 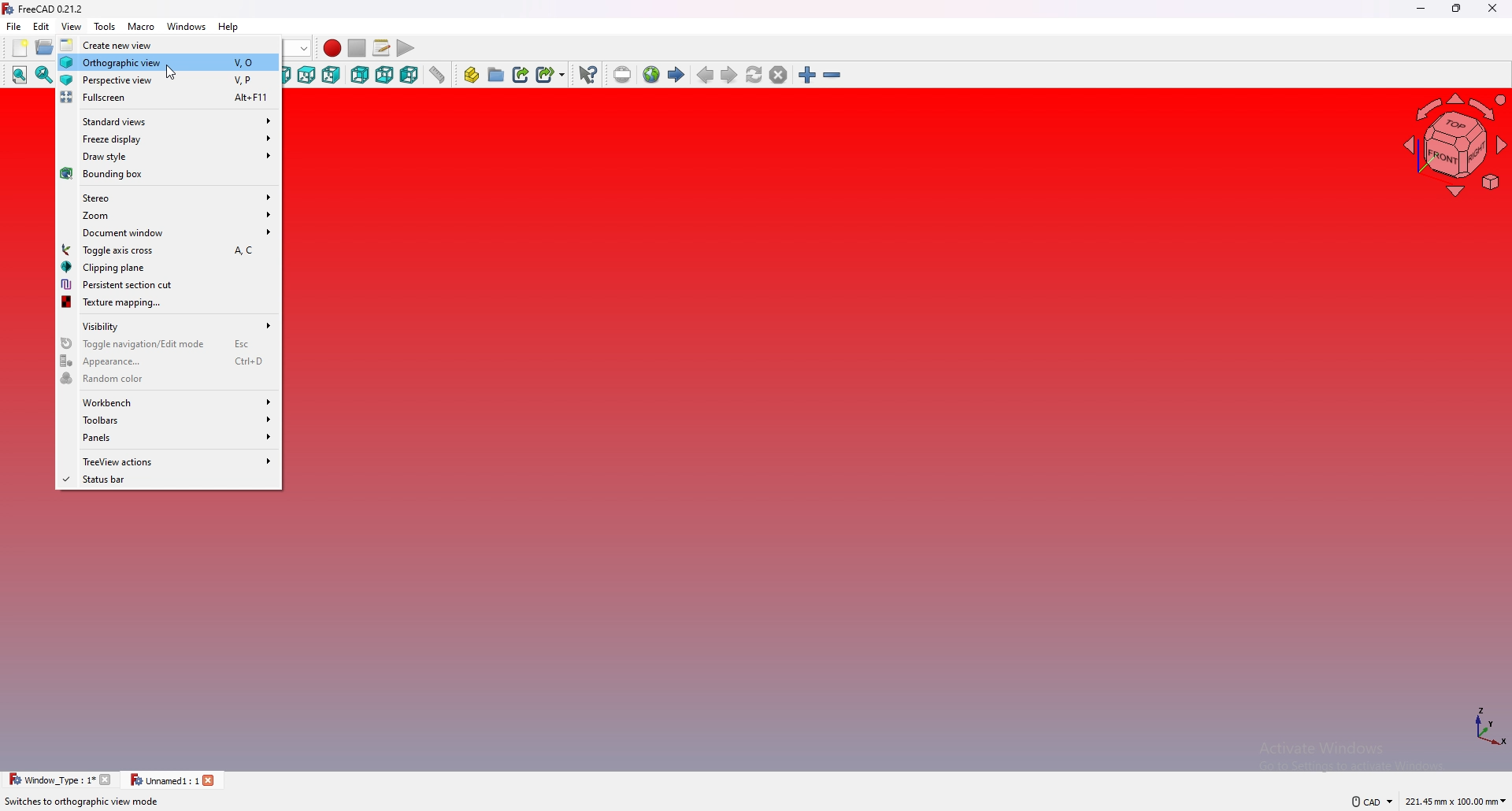 I want to click on texture mapping, so click(x=168, y=303).